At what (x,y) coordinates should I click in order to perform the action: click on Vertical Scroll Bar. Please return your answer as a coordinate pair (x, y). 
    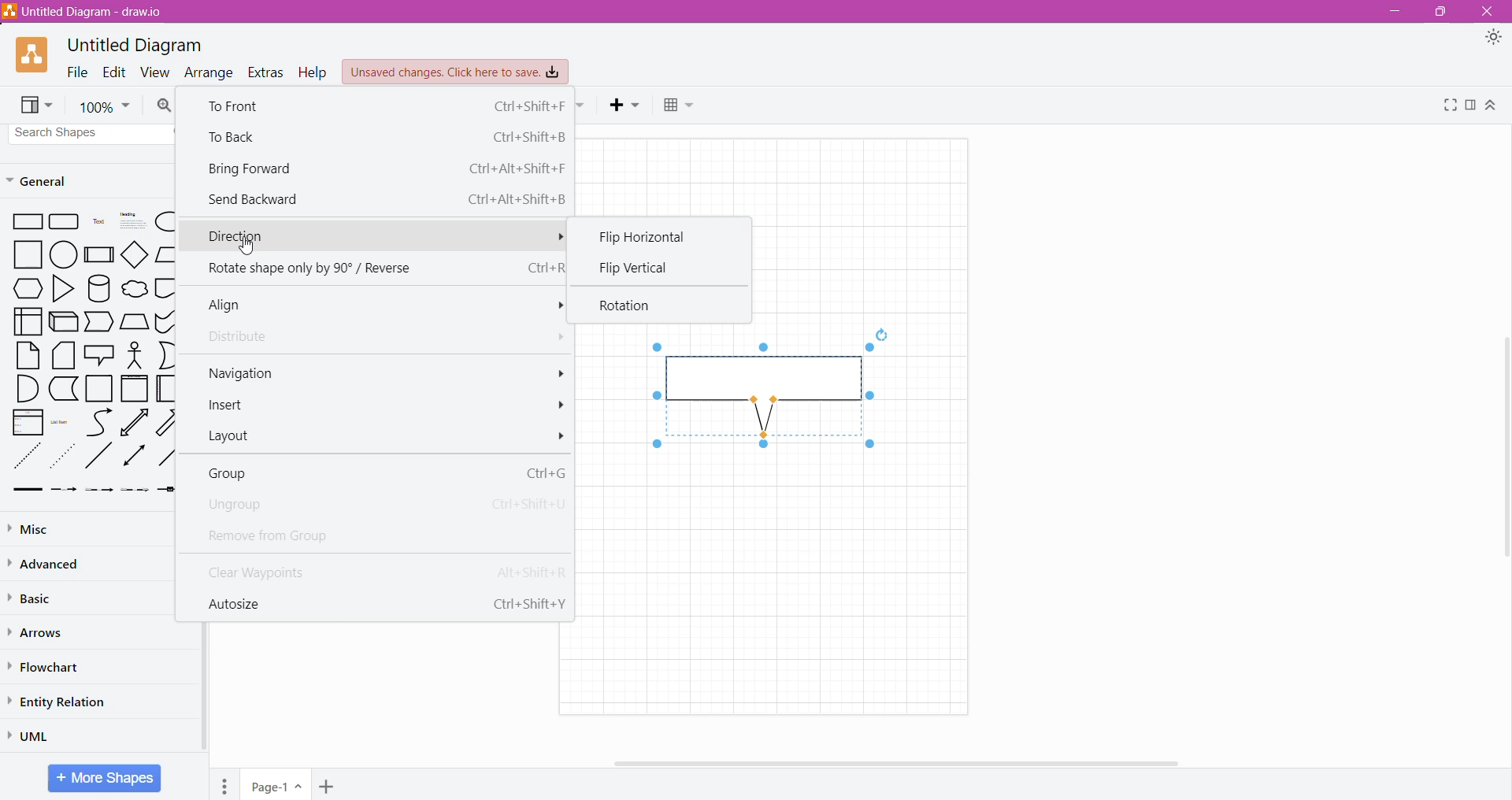
    Looking at the image, I should click on (1502, 451).